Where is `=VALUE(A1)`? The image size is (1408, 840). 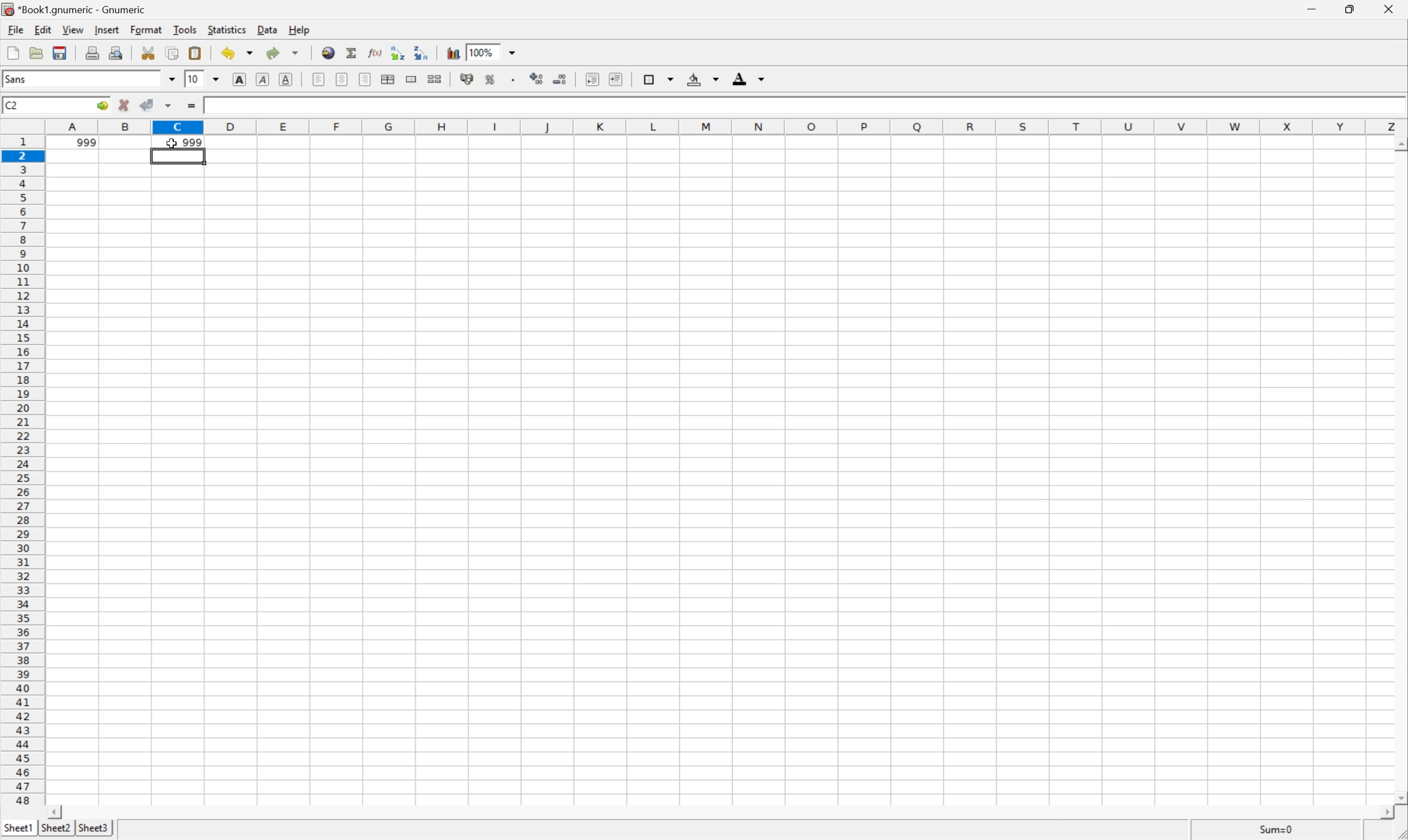 =VALUE(A1) is located at coordinates (234, 106).